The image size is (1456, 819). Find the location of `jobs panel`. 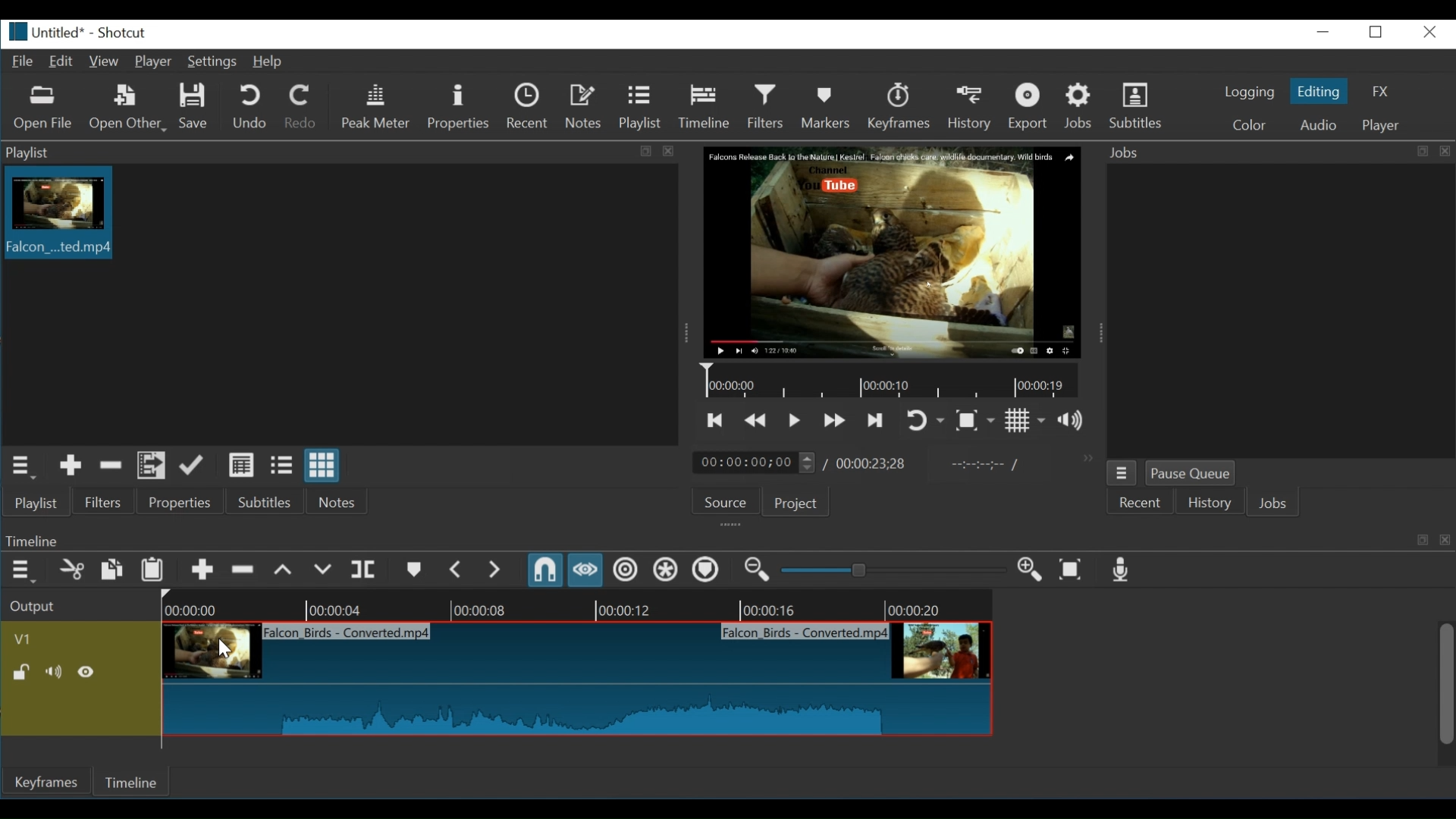

jobs panel is located at coordinates (1280, 309).